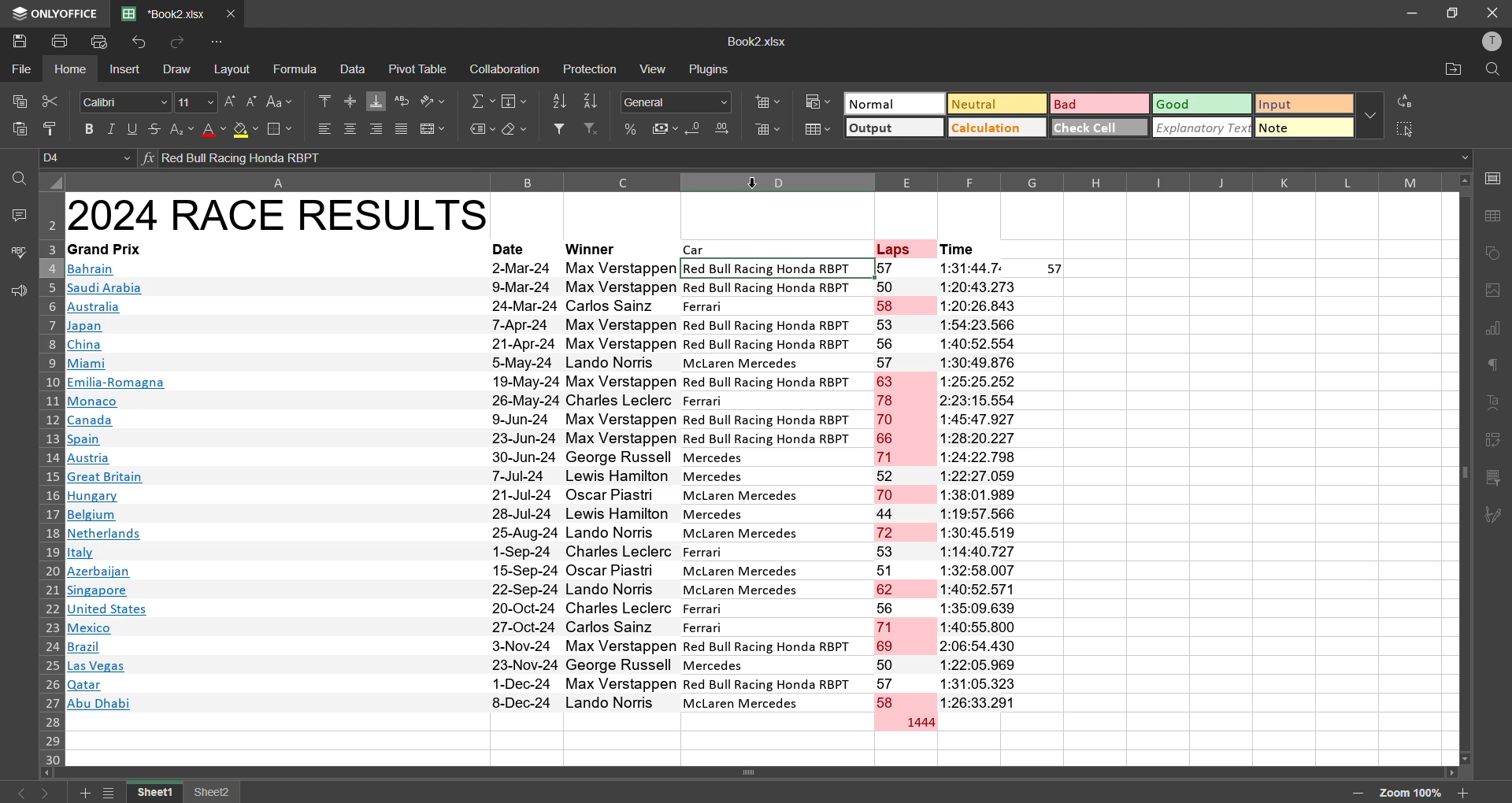 The height and width of the screenshot is (803, 1512). I want to click on decrease decimal, so click(696, 131).